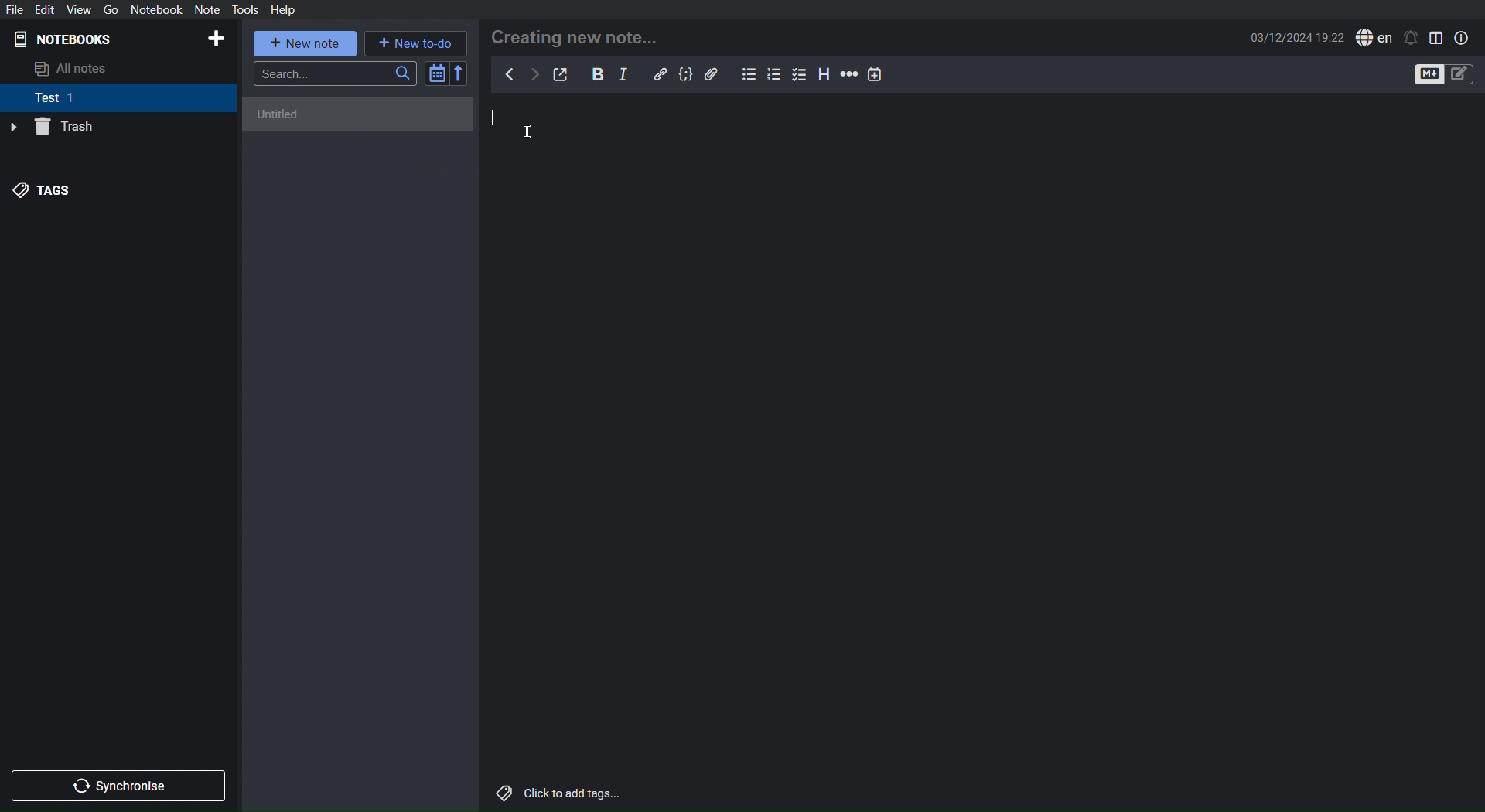  Describe the element at coordinates (711, 73) in the screenshot. I see `Attachment` at that location.